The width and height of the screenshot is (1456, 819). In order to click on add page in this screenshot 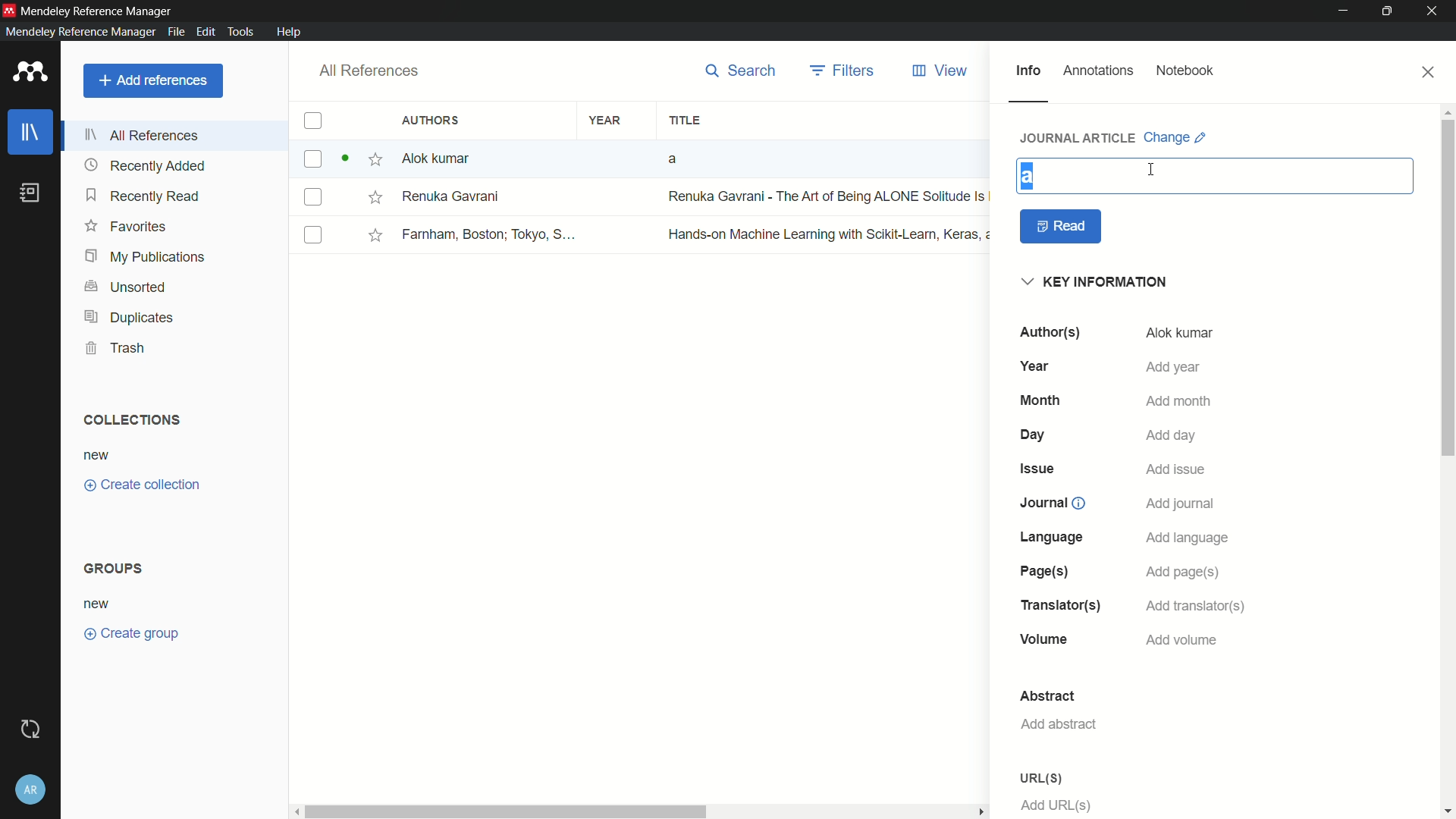, I will do `click(1181, 573)`.